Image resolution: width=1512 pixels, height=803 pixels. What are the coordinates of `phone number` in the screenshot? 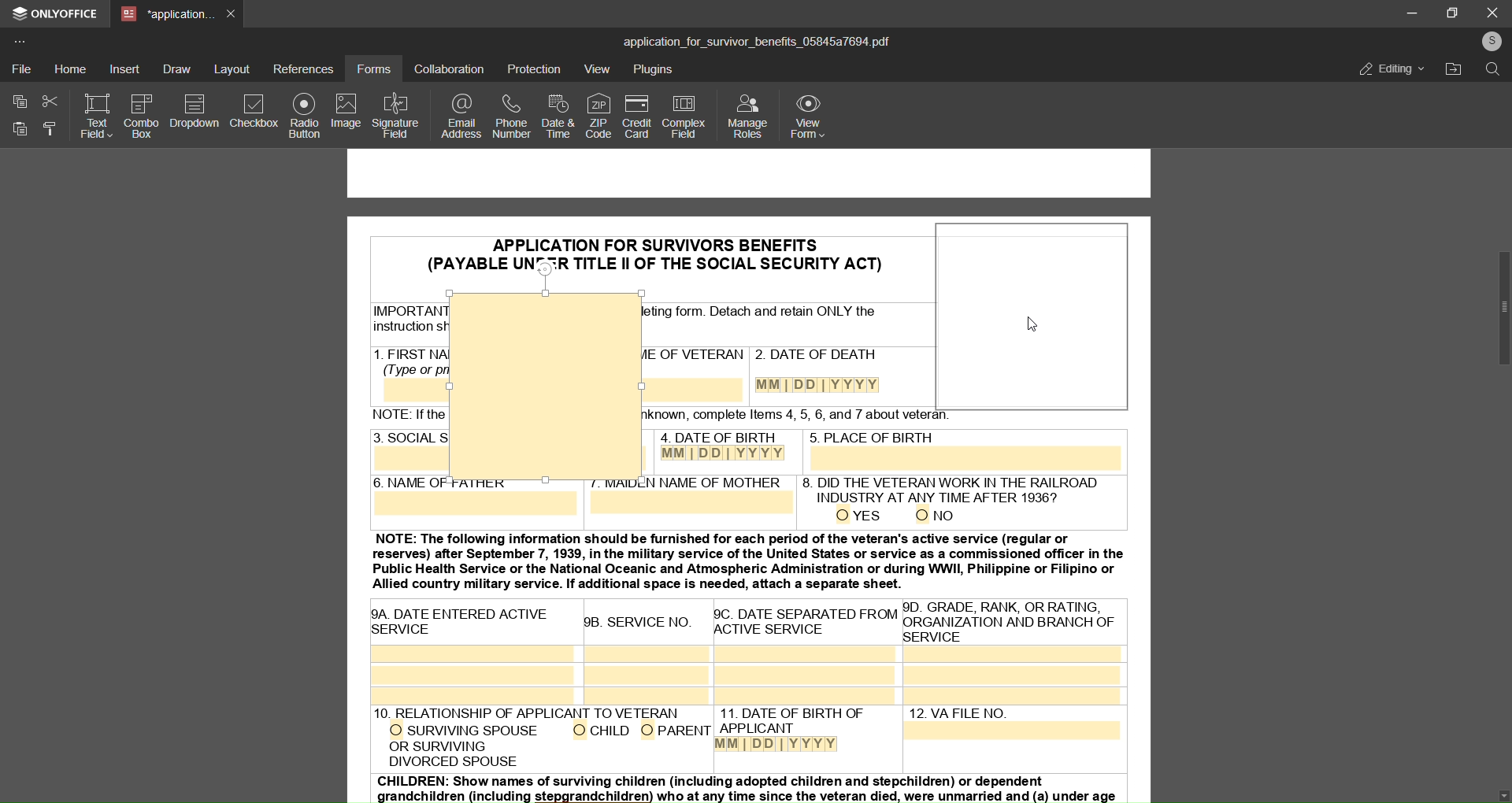 It's located at (509, 118).